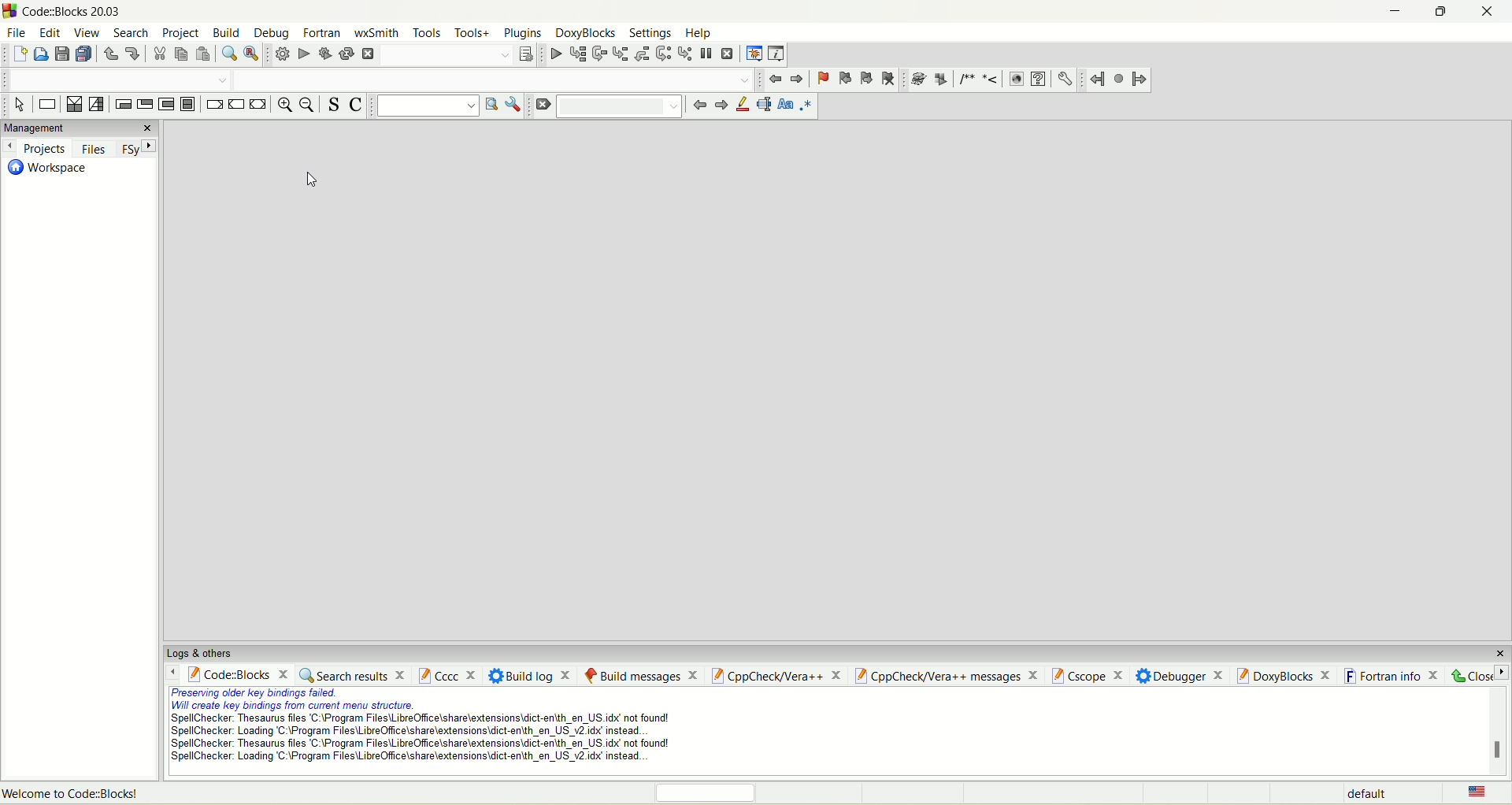  Describe the element at coordinates (258, 106) in the screenshot. I see `return instruction` at that location.